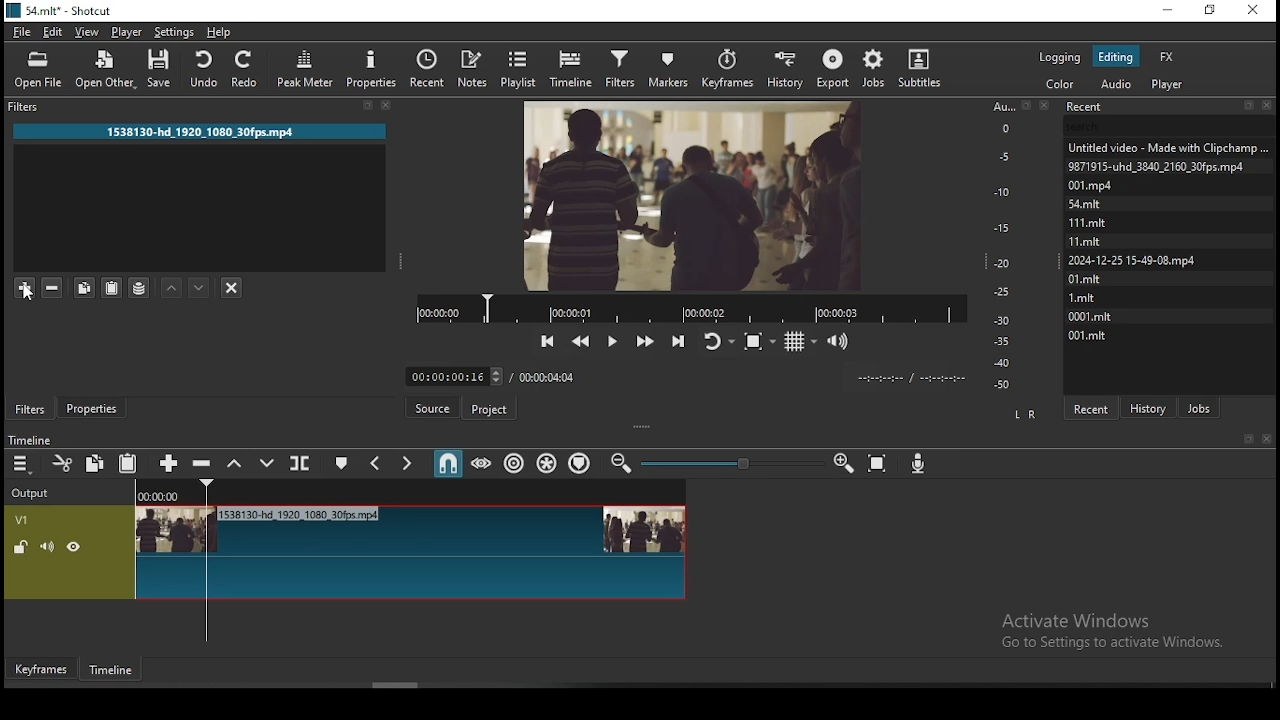  I want to click on paste, so click(129, 464).